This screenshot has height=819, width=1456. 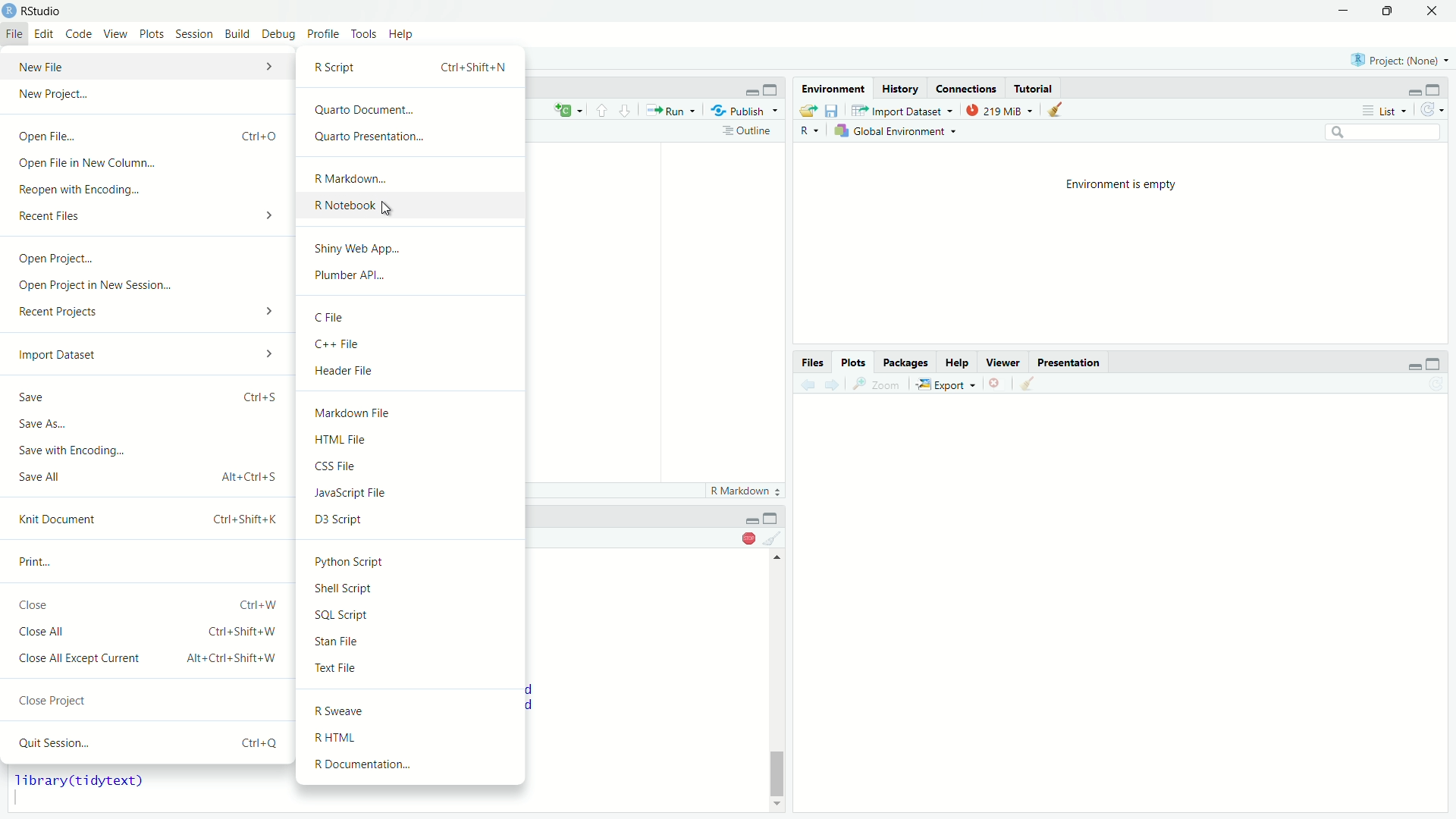 What do you see at coordinates (143, 449) in the screenshot?
I see `Save with Encoding.` at bounding box center [143, 449].